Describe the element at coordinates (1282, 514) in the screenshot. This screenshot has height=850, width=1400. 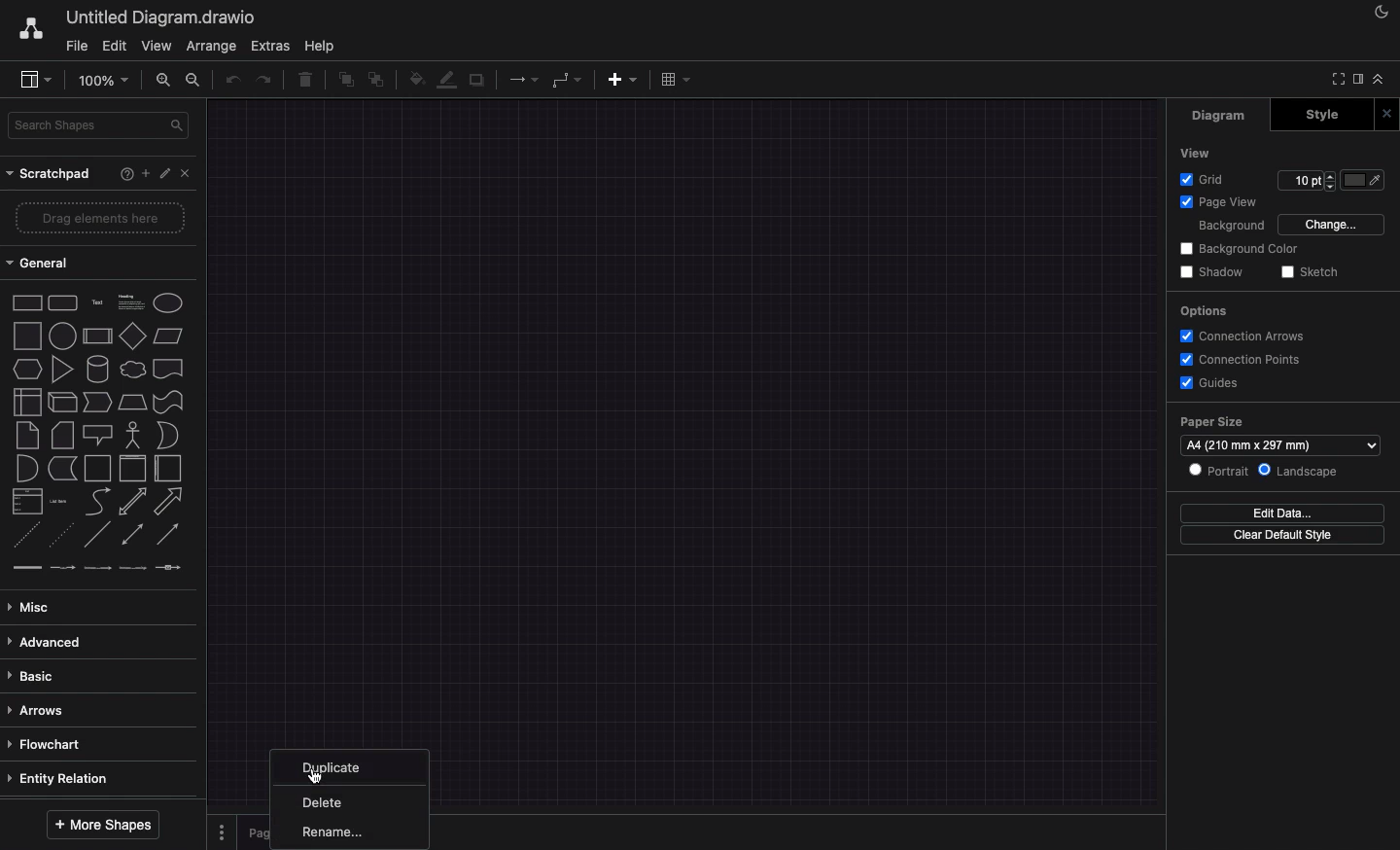
I see `edit data` at that location.